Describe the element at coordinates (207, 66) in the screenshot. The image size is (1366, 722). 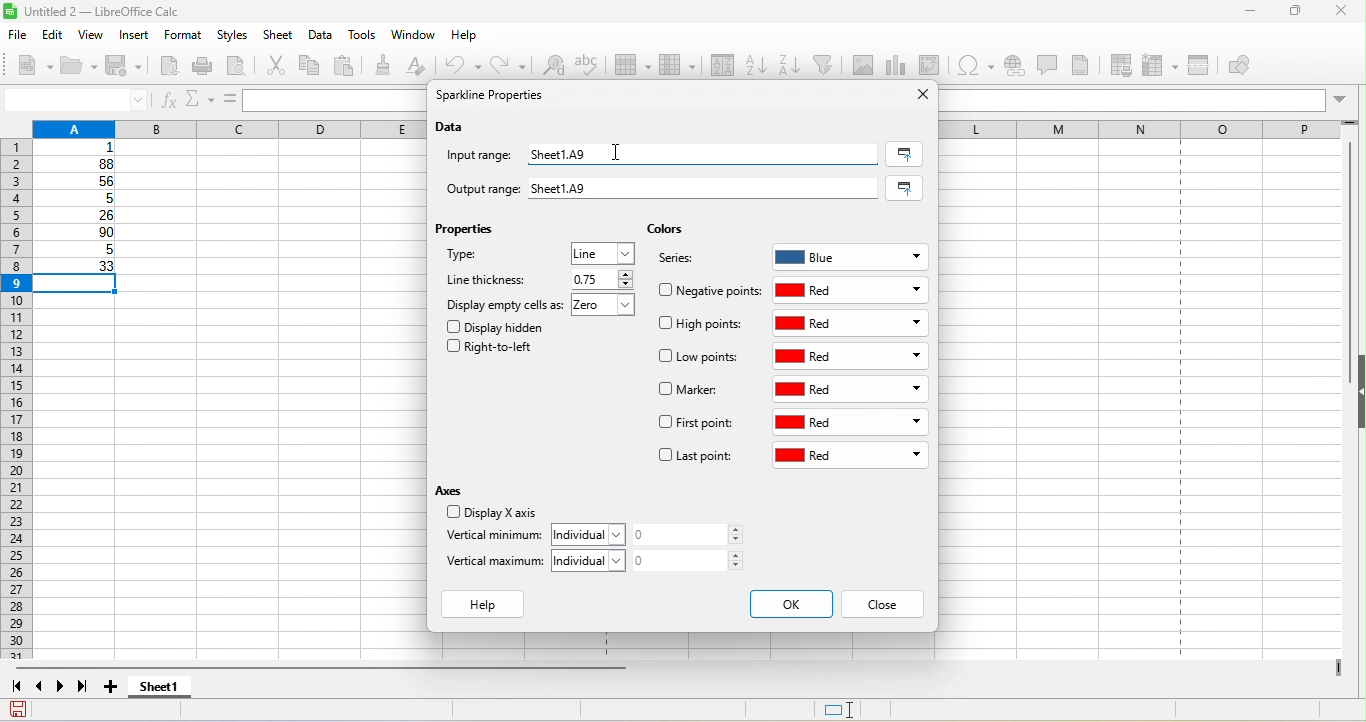
I see `print` at that location.